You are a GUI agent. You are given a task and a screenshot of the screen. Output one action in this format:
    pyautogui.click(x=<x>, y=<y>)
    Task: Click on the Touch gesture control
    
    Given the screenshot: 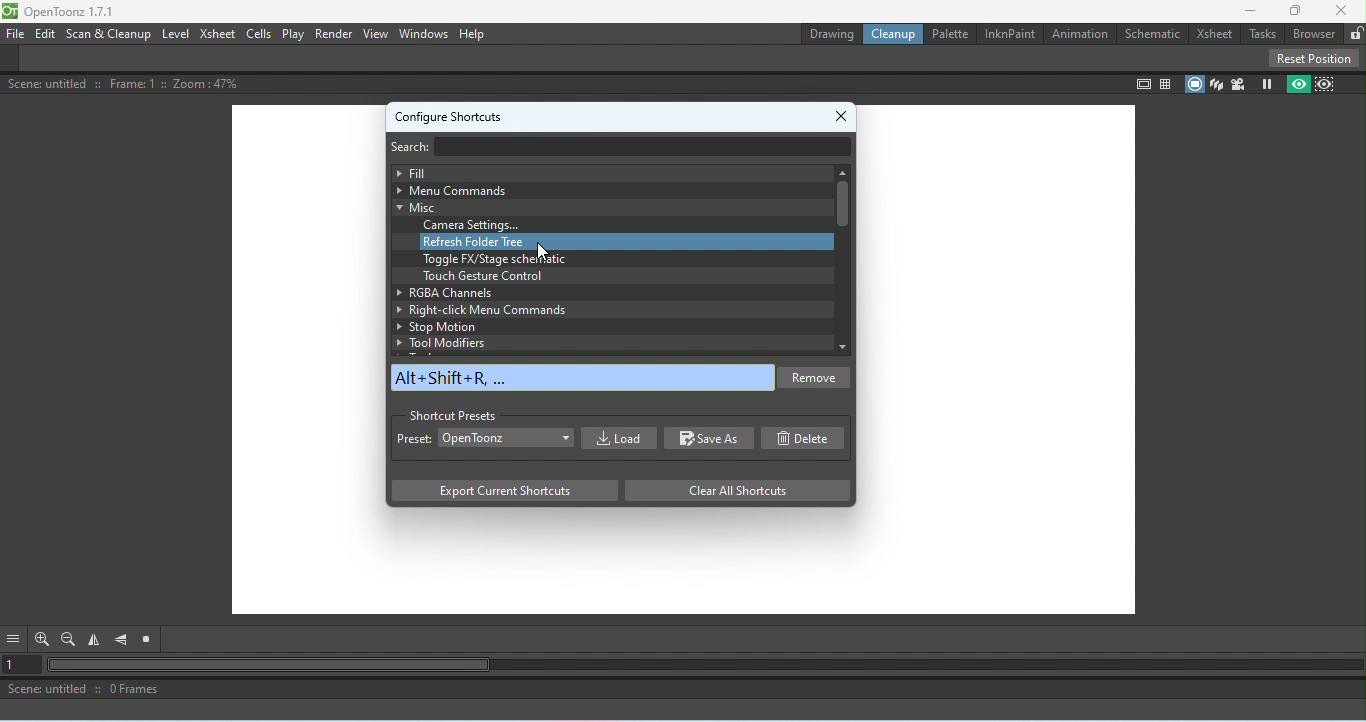 What is the action you would take?
    pyautogui.click(x=481, y=276)
    